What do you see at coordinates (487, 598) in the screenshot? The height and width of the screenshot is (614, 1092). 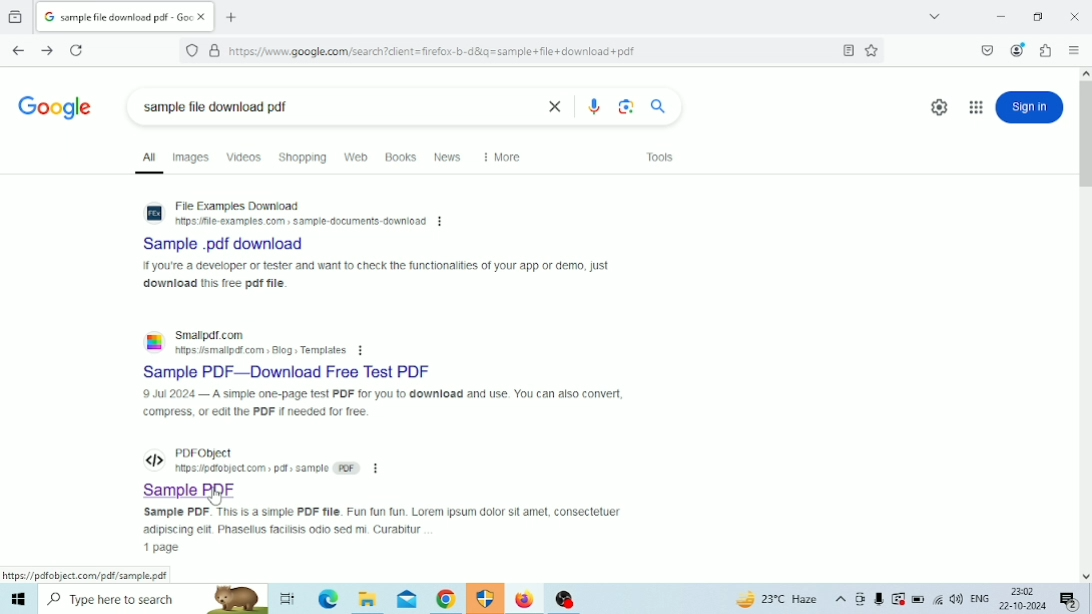 I see `Windows Defender` at bounding box center [487, 598].